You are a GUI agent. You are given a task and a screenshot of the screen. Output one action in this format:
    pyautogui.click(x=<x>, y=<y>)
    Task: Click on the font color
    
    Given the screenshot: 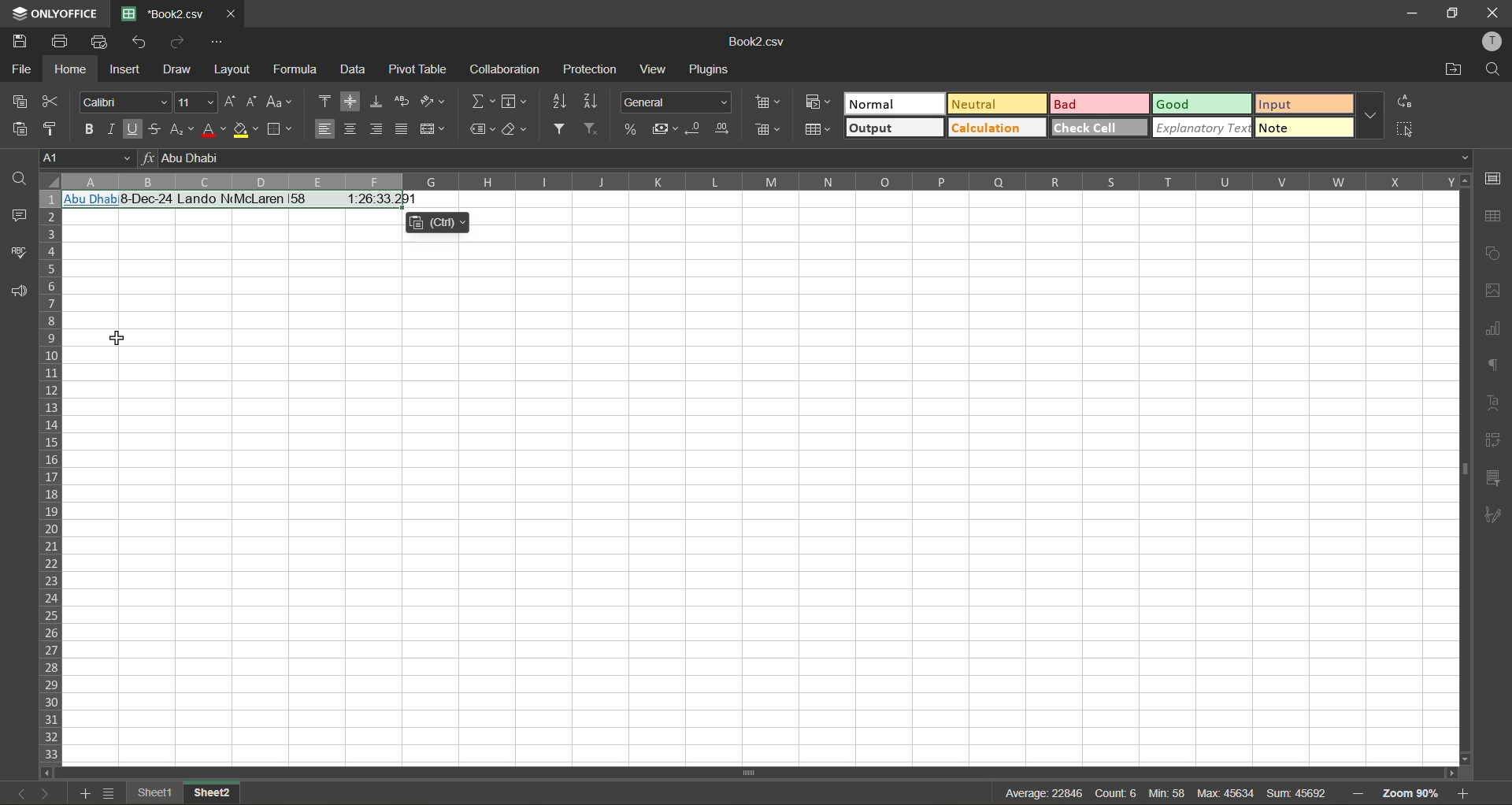 What is the action you would take?
    pyautogui.click(x=212, y=129)
    